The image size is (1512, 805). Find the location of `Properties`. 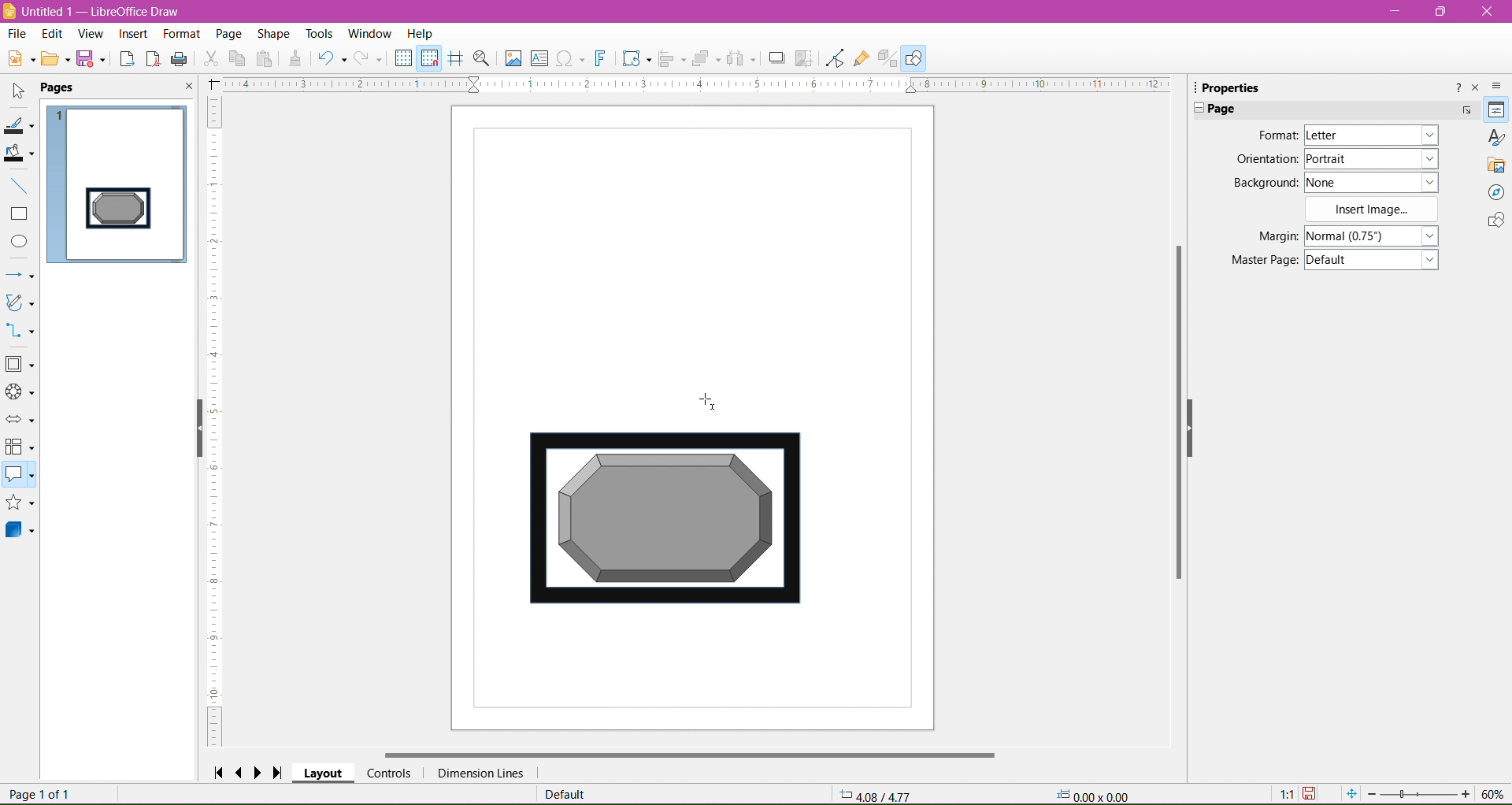

Properties is located at coordinates (1237, 87).